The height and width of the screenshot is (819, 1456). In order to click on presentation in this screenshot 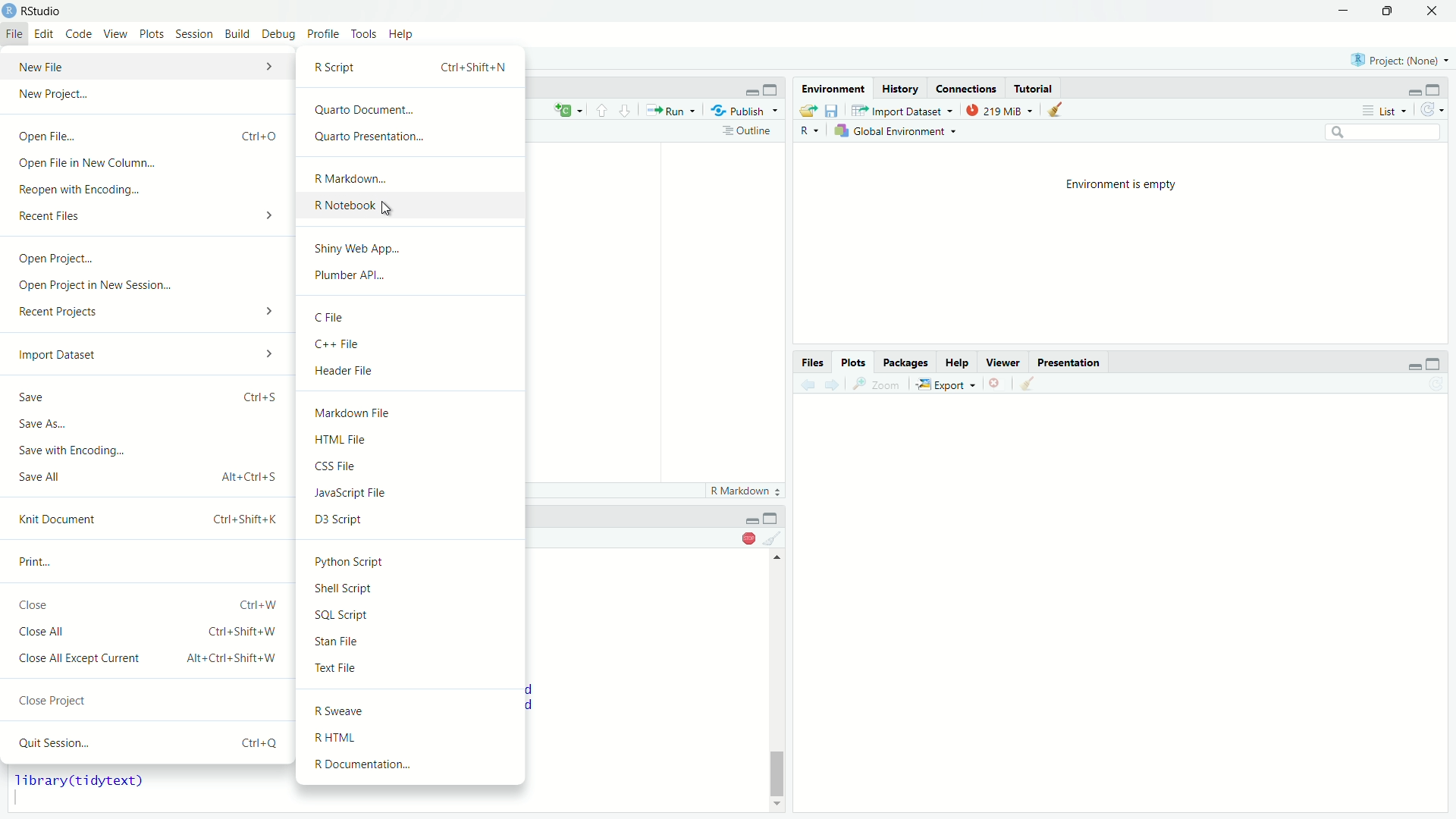, I will do `click(1070, 362)`.